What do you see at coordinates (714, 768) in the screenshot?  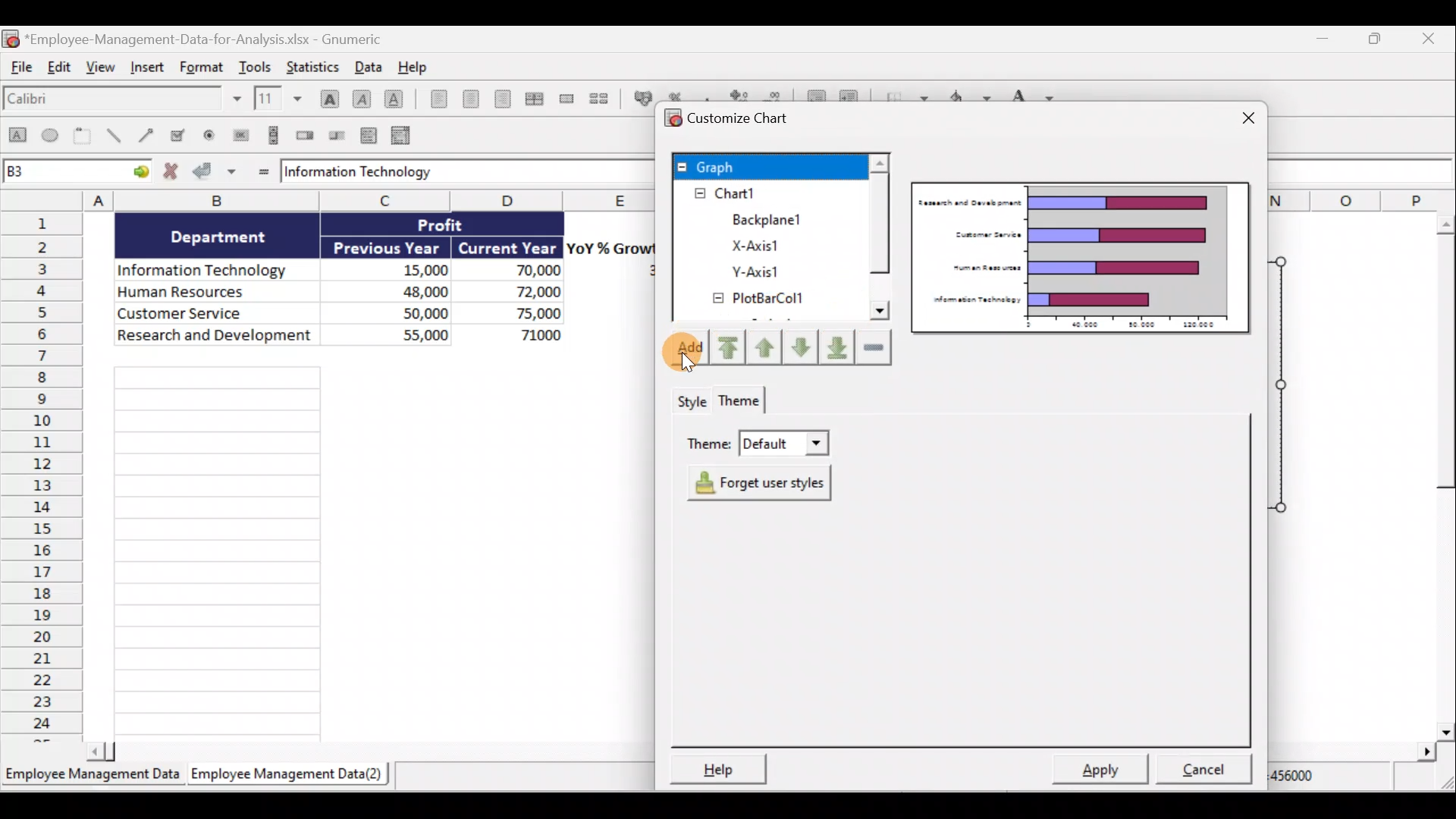 I see `Help` at bounding box center [714, 768].